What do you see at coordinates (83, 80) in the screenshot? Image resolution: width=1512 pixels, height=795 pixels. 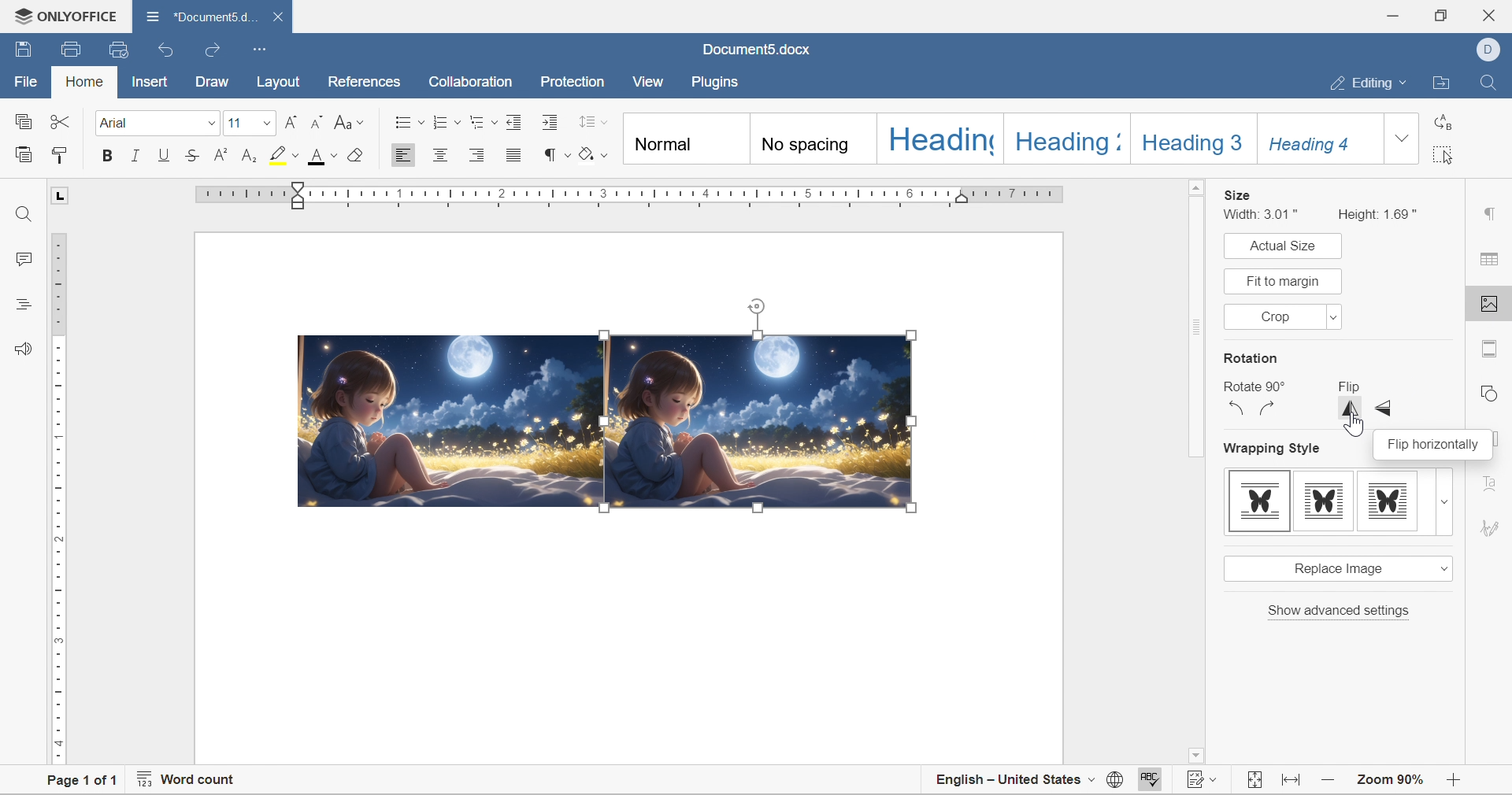 I see `home` at bounding box center [83, 80].